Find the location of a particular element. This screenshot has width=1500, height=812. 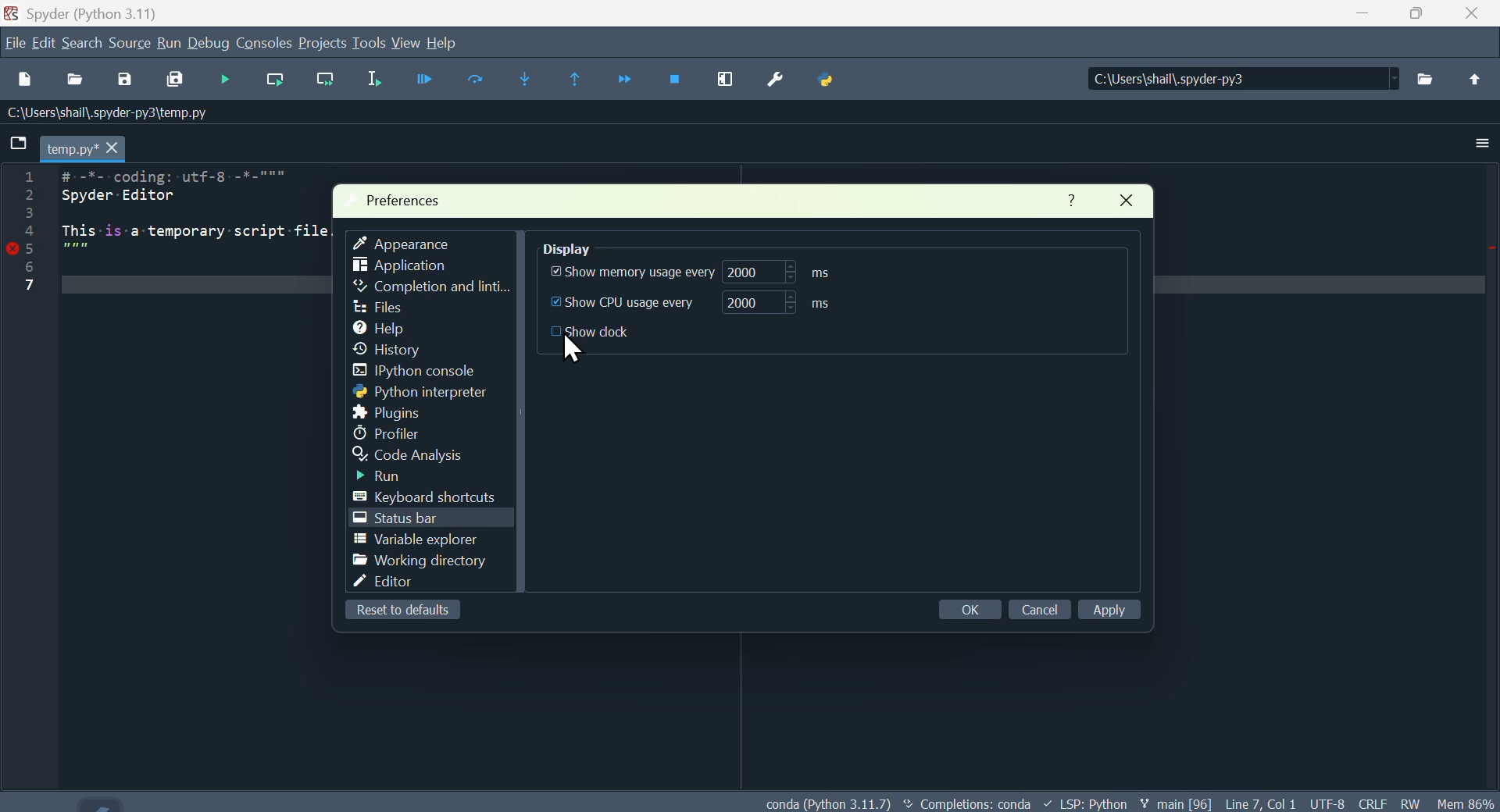

Python path manager is located at coordinates (830, 83).